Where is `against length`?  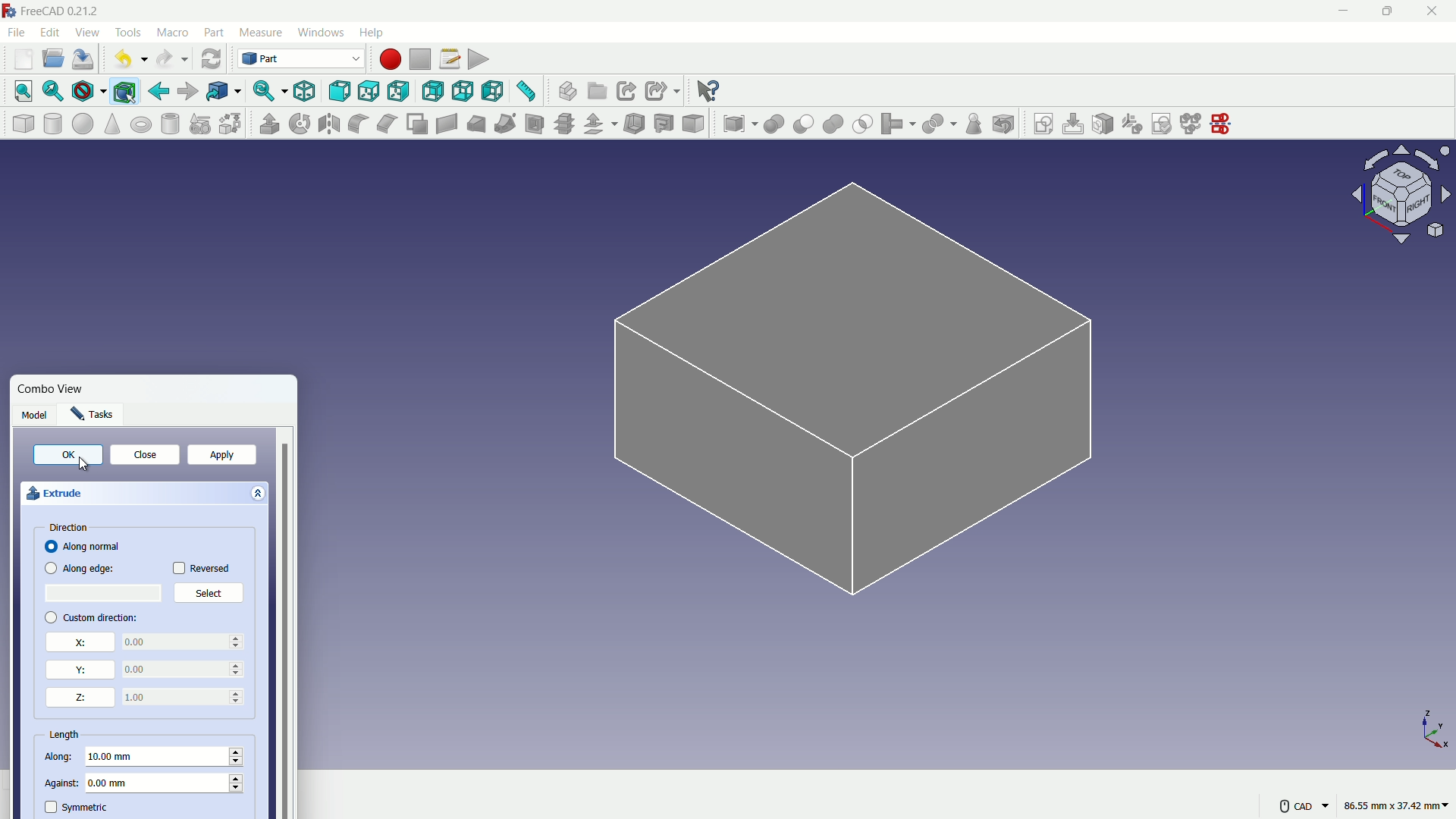
against length is located at coordinates (62, 783).